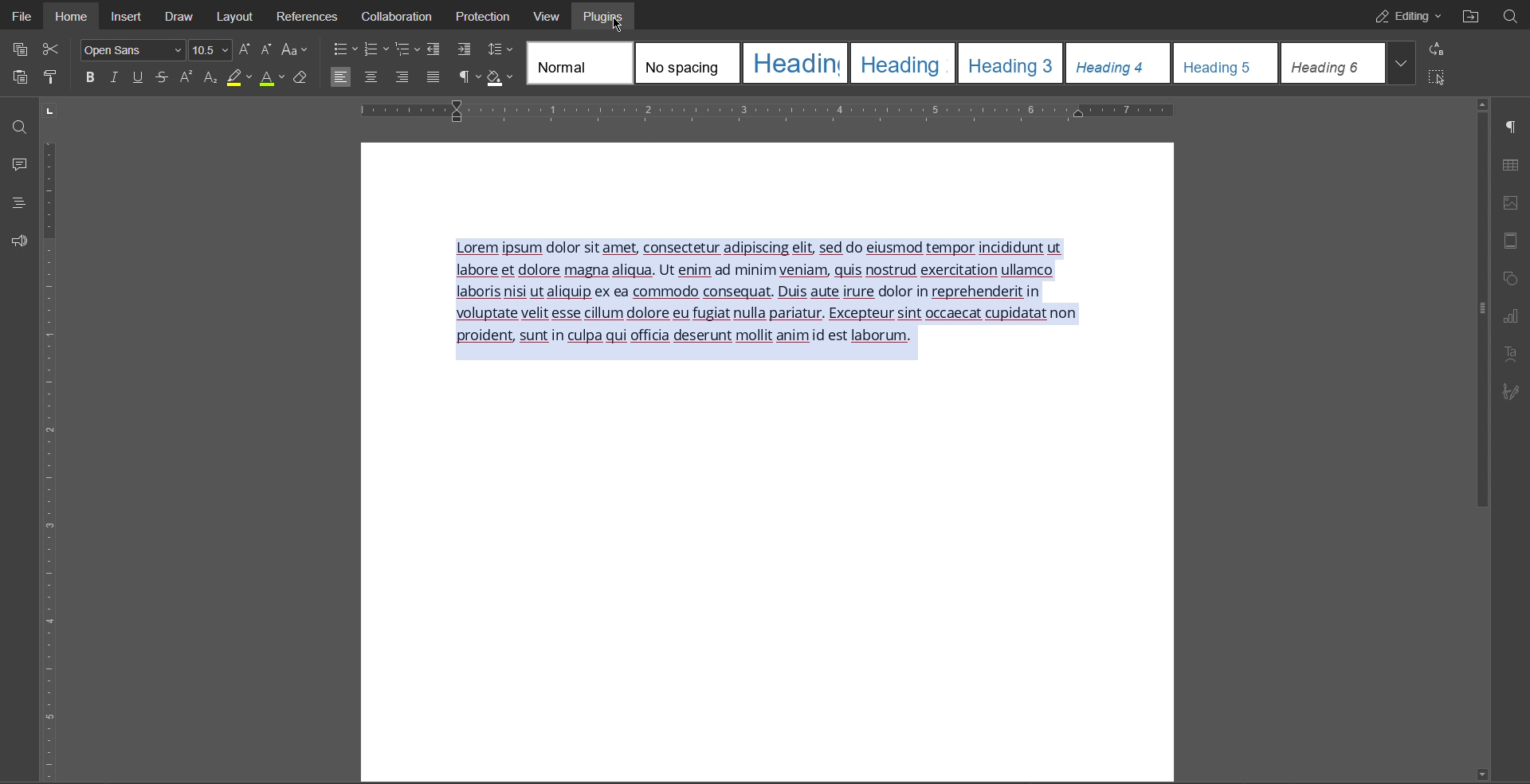 The image size is (1530, 784). What do you see at coordinates (461, 49) in the screenshot?
I see `Indents` at bounding box center [461, 49].